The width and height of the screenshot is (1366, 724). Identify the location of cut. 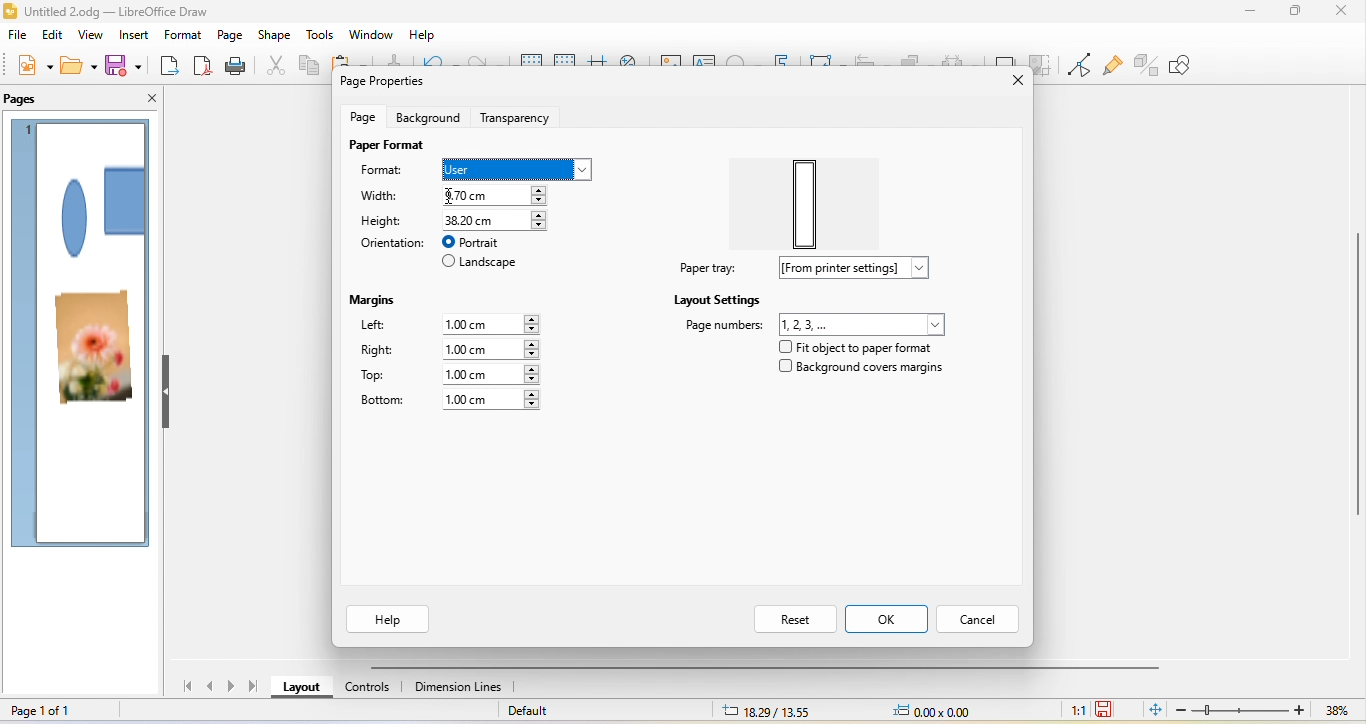
(279, 68).